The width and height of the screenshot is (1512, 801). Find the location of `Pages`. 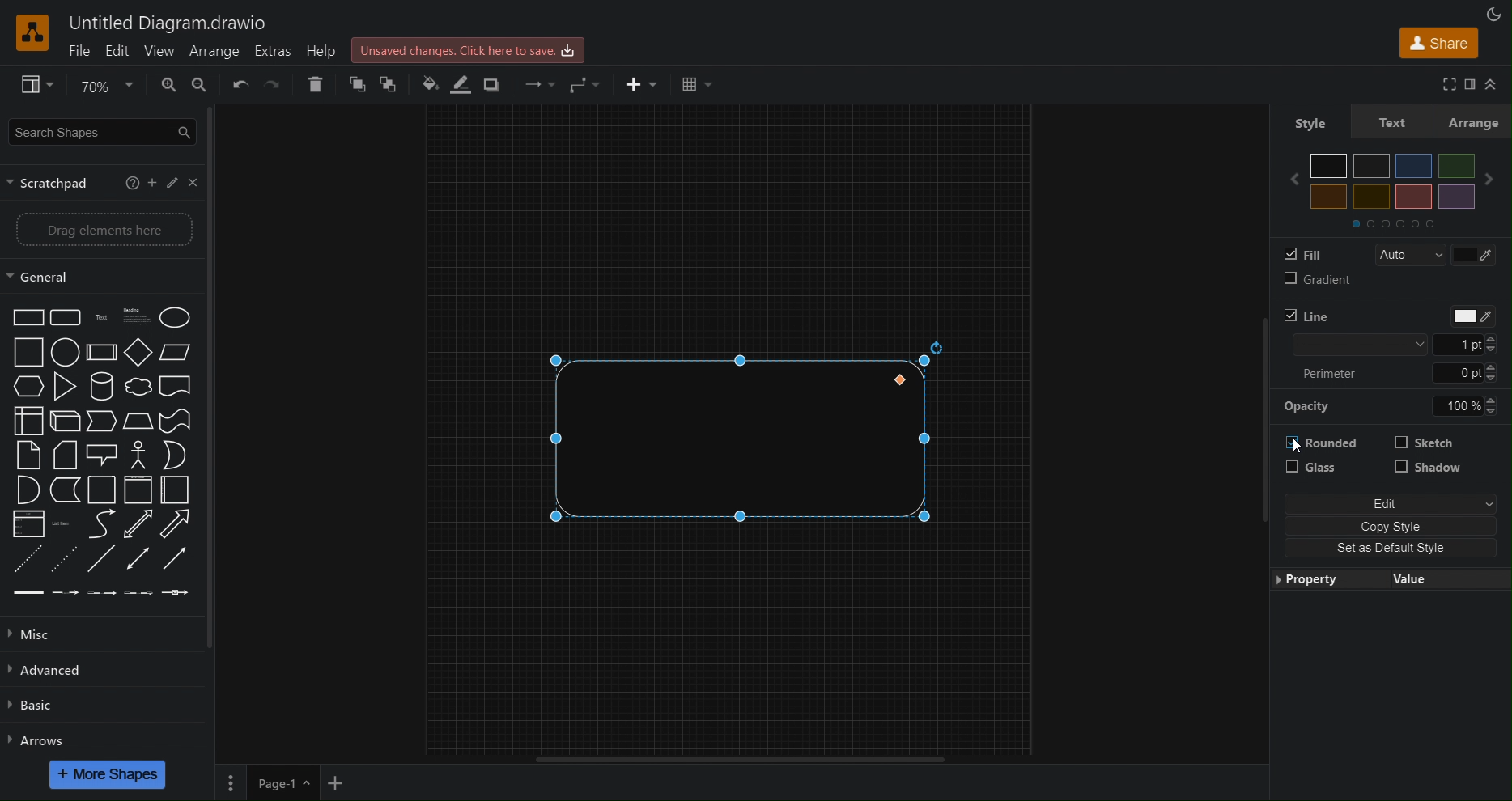

Pages is located at coordinates (233, 782).